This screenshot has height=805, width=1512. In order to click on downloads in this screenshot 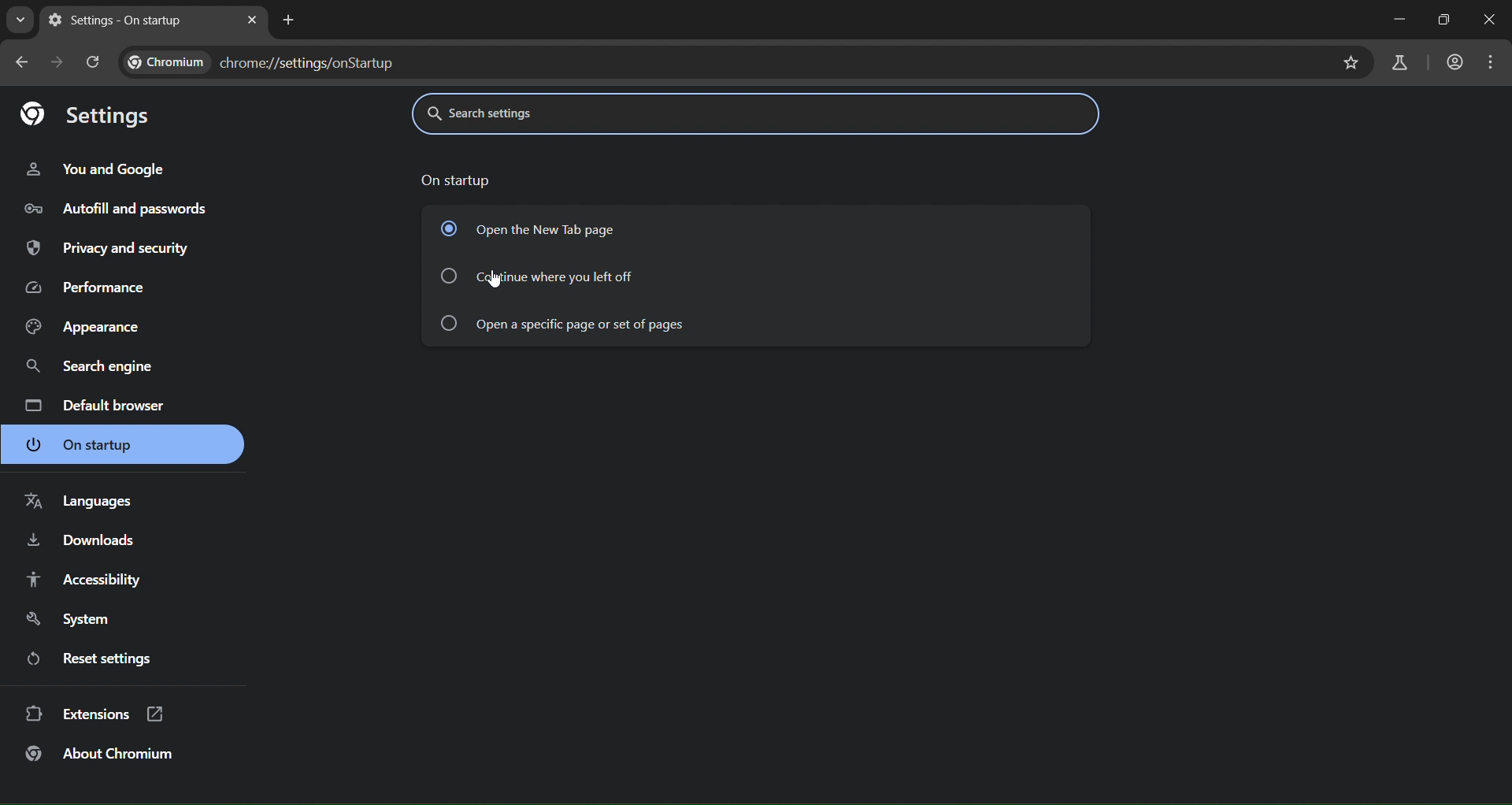, I will do `click(83, 540)`.